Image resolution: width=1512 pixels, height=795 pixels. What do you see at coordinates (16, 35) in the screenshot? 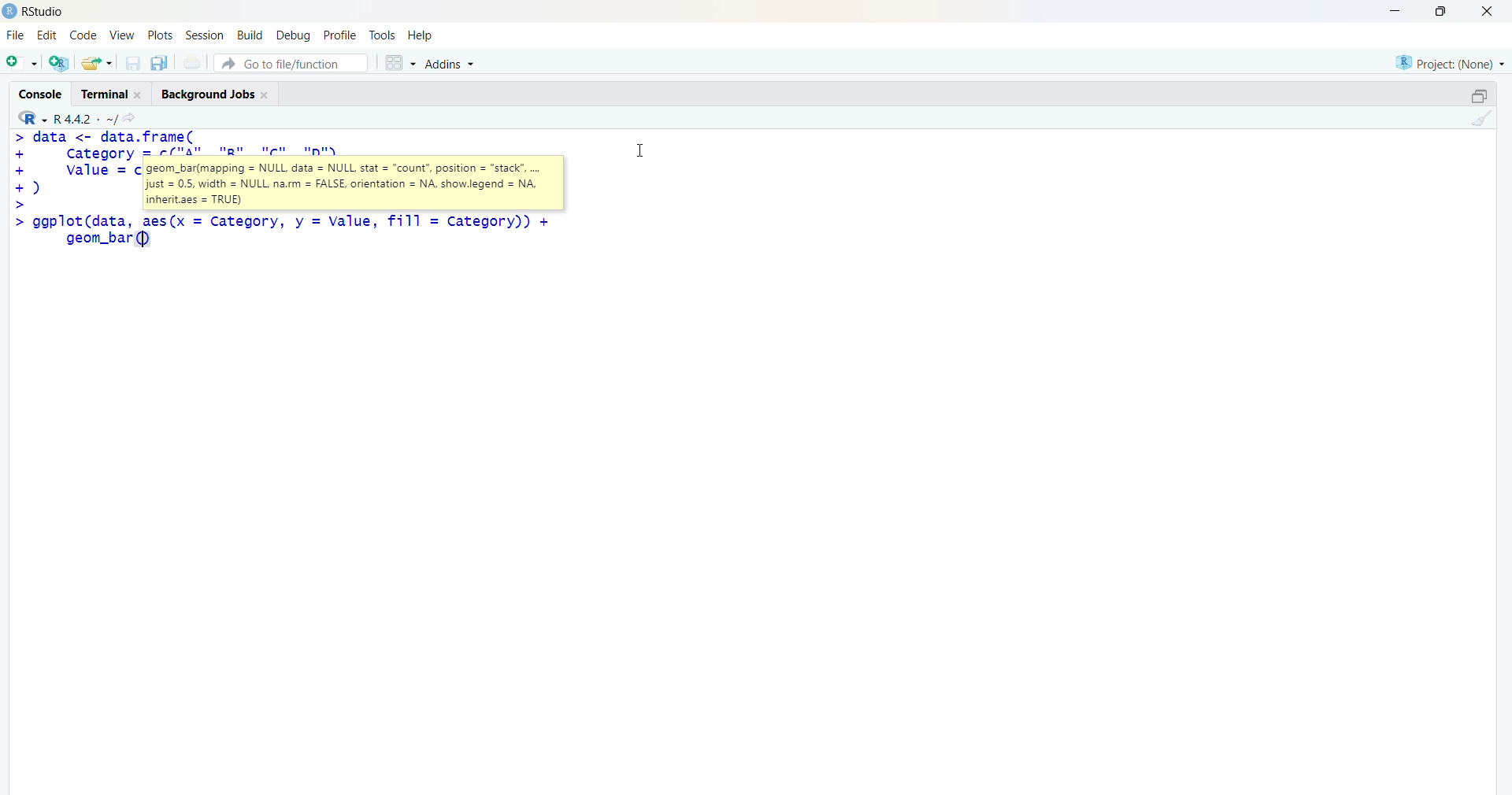
I see `File` at bounding box center [16, 35].